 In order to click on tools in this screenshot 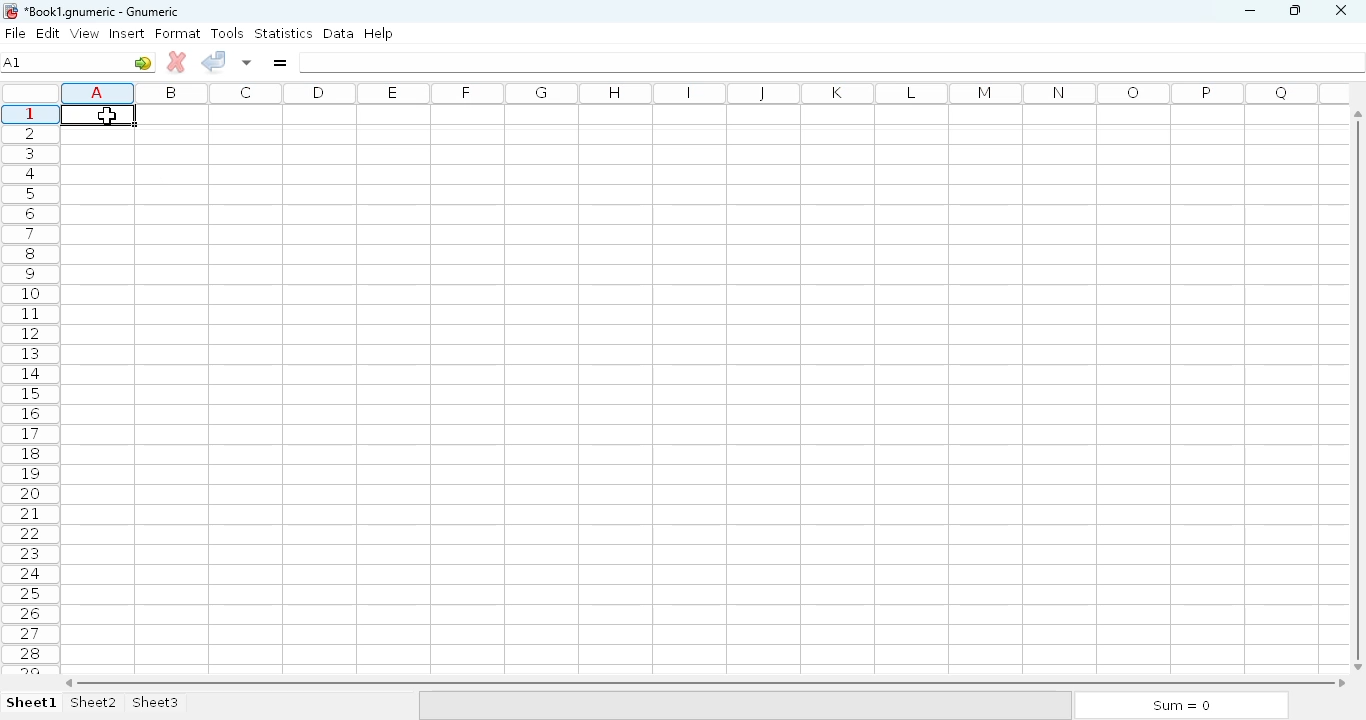, I will do `click(227, 33)`.